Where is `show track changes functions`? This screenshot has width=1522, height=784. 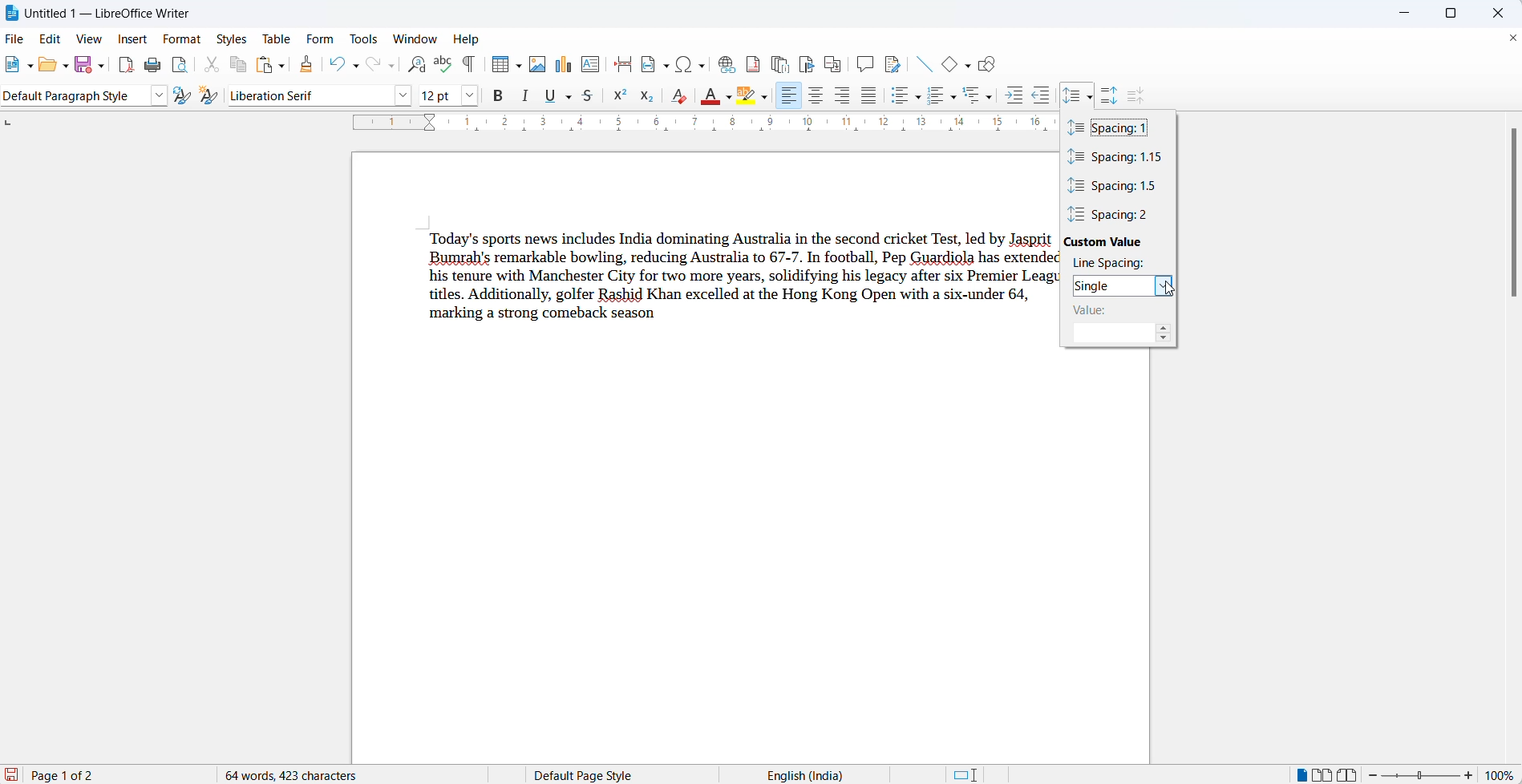
show track changes functions is located at coordinates (893, 63).